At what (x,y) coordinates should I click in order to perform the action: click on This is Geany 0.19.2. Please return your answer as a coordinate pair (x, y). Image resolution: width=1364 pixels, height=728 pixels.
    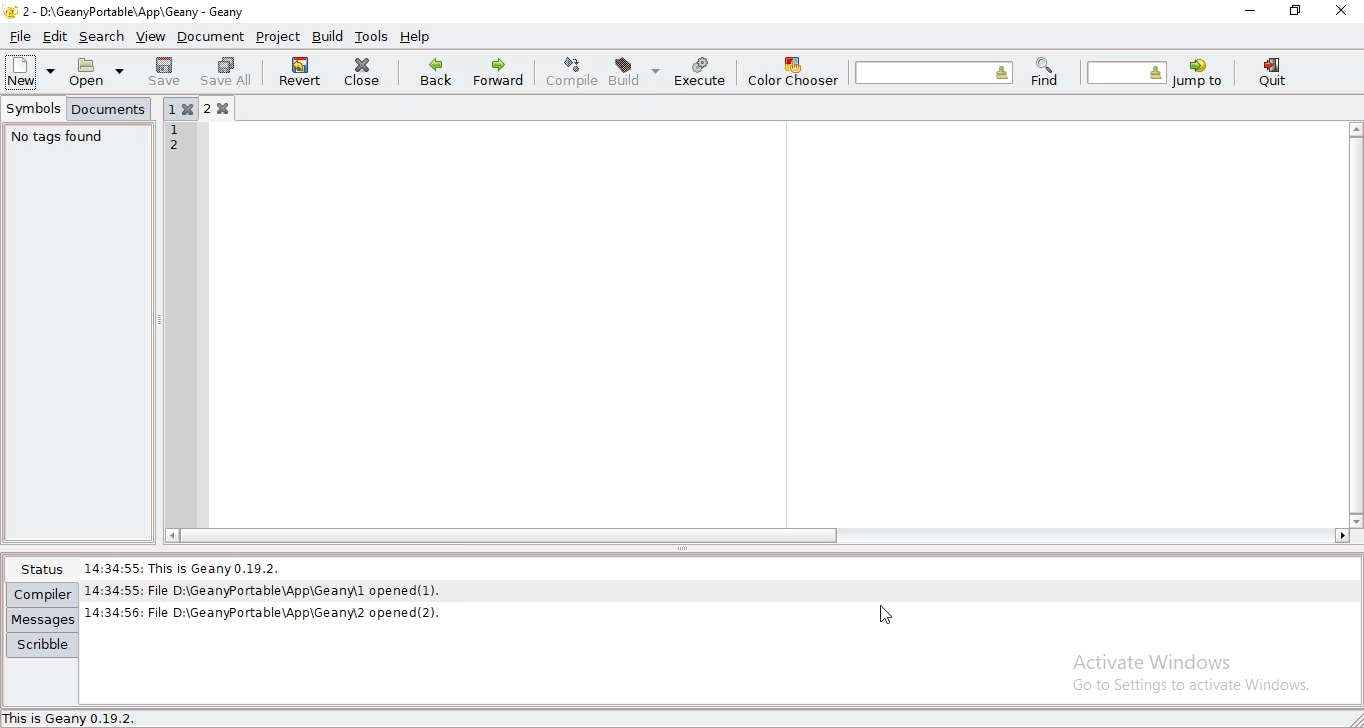
    Looking at the image, I should click on (76, 718).